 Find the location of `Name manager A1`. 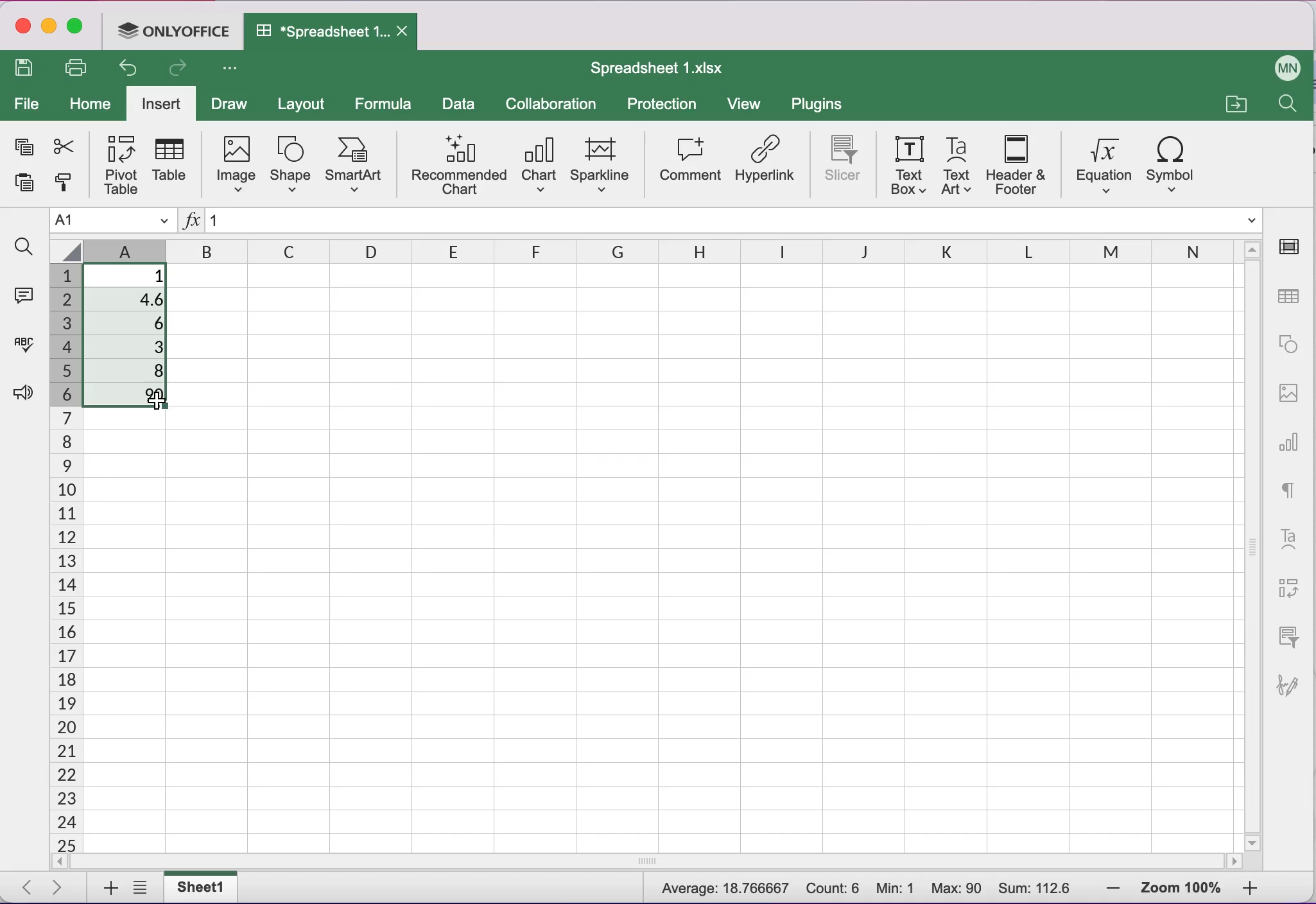

Name manager A1 is located at coordinates (112, 222).